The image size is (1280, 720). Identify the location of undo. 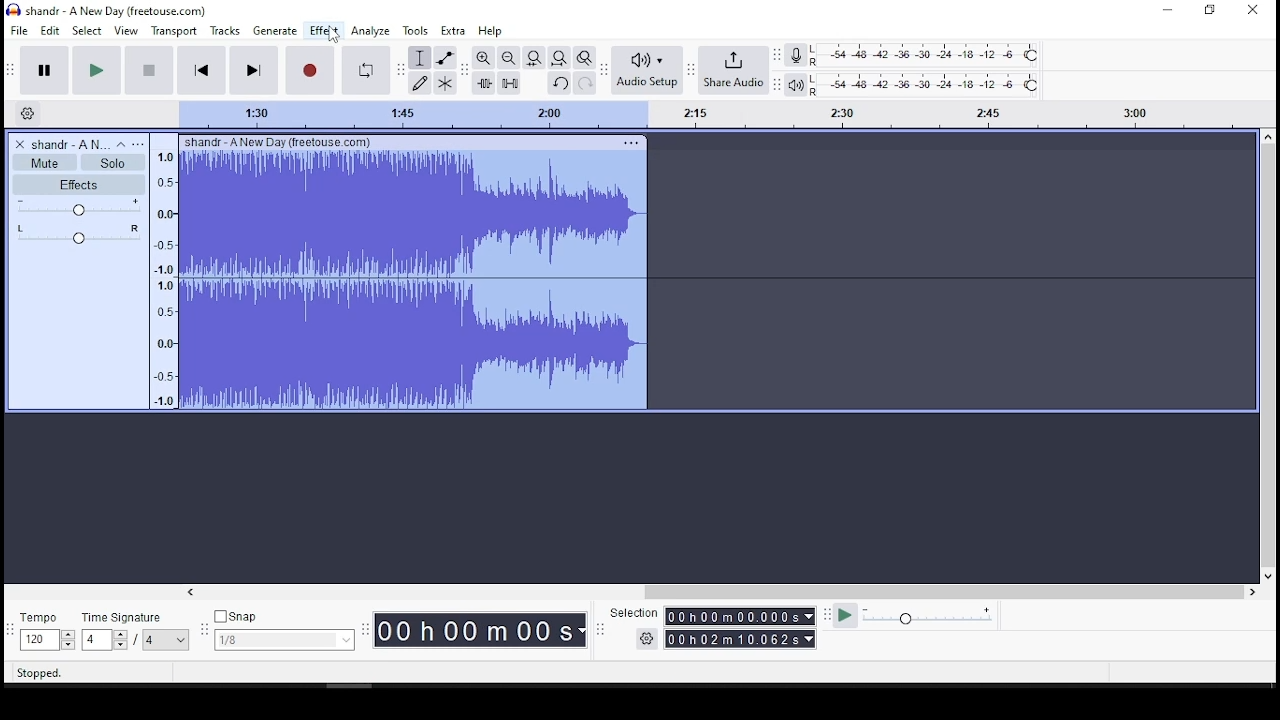
(560, 82).